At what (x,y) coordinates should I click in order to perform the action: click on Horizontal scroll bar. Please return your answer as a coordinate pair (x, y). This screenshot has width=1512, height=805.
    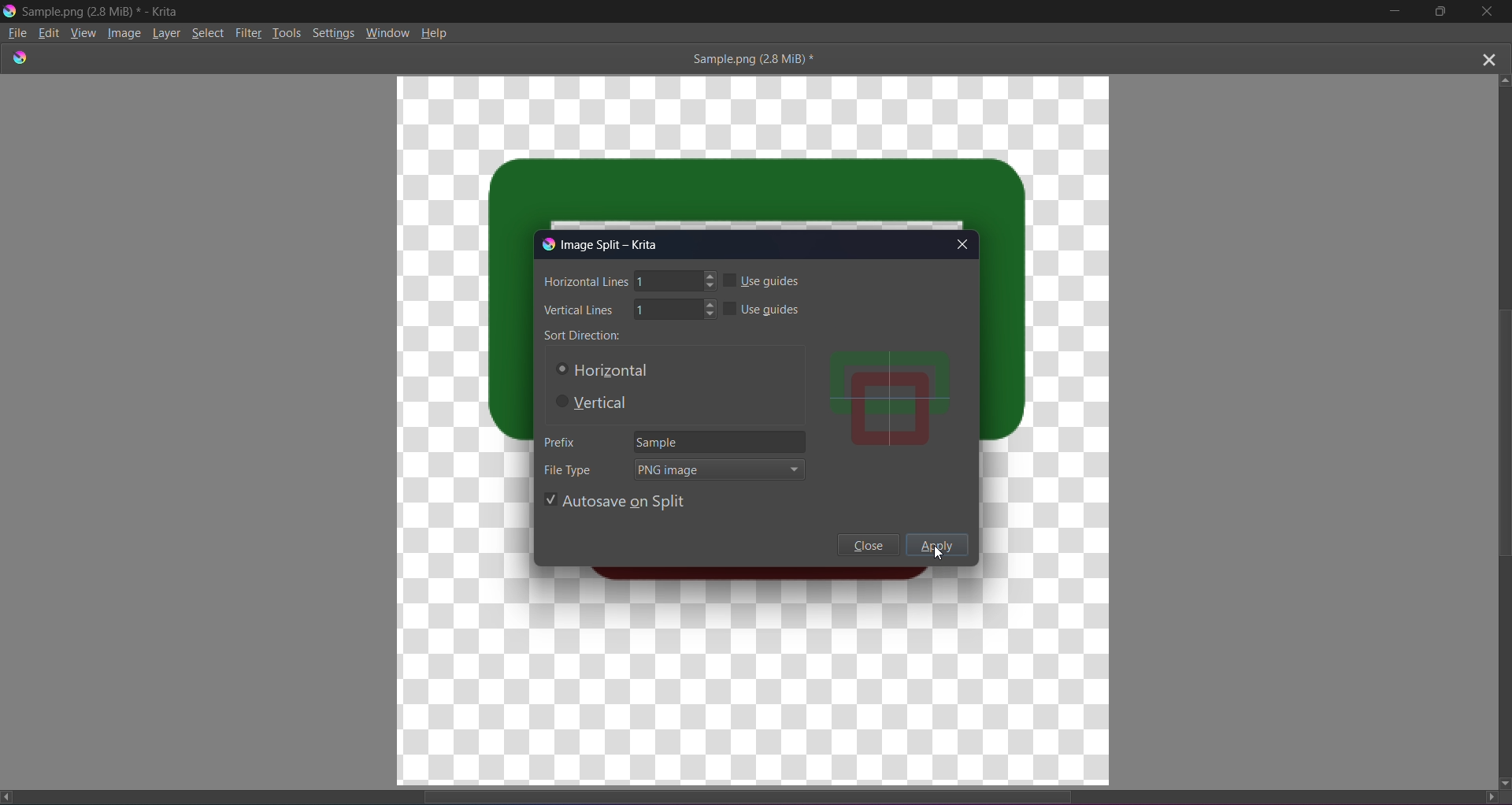
    Looking at the image, I should click on (762, 792).